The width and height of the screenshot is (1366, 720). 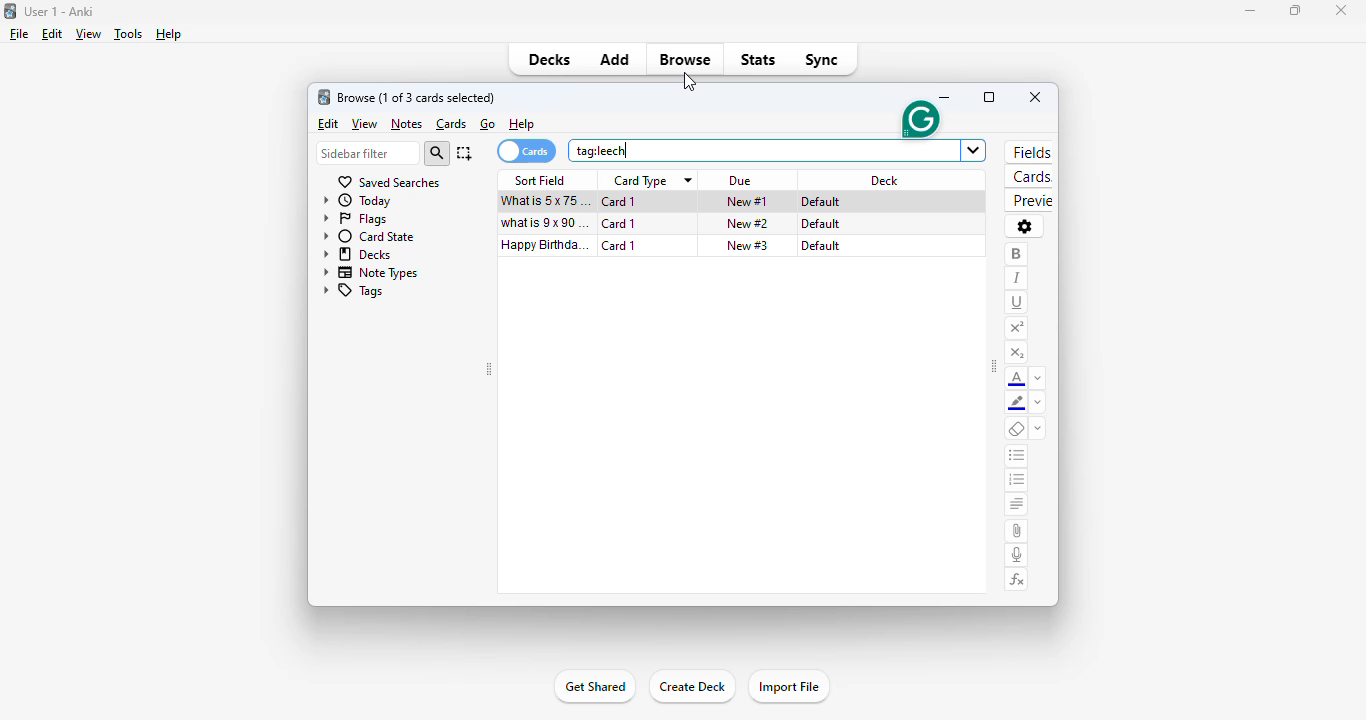 I want to click on view, so click(x=89, y=34).